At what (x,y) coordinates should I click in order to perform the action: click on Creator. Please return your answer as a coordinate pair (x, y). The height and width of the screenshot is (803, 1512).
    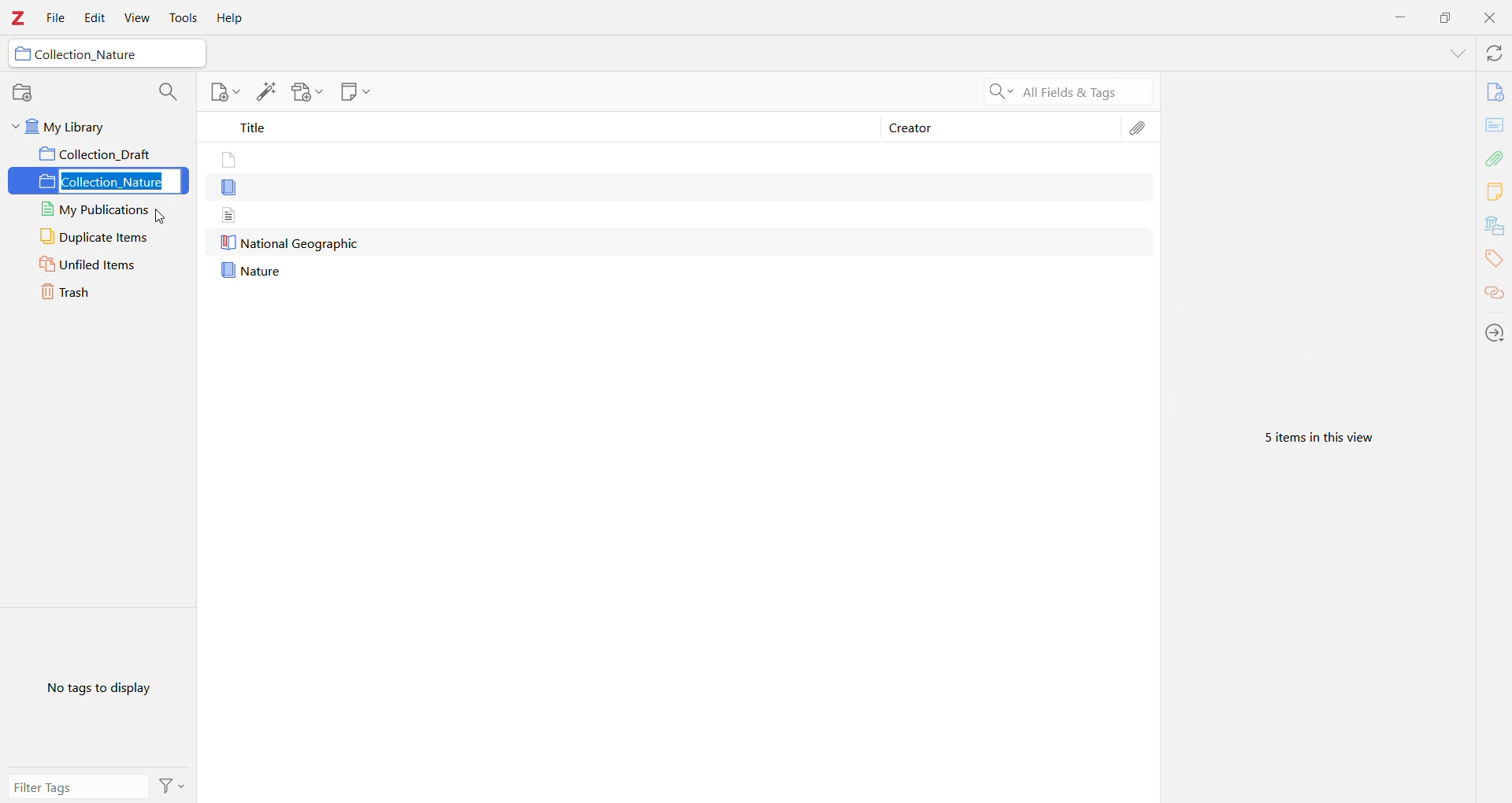
    Looking at the image, I should click on (1001, 128).